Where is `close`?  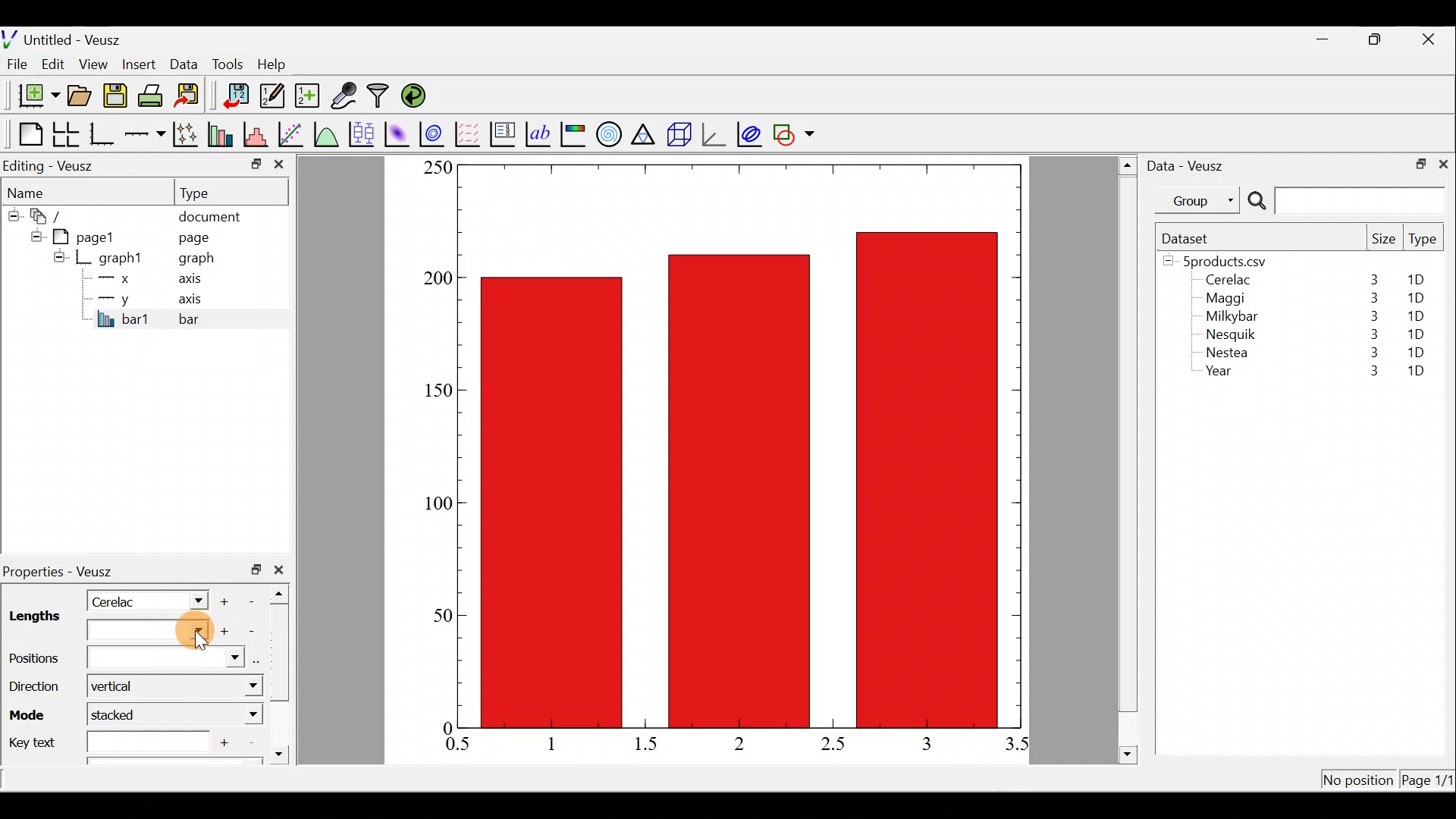 close is located at coordinates (279, 168).